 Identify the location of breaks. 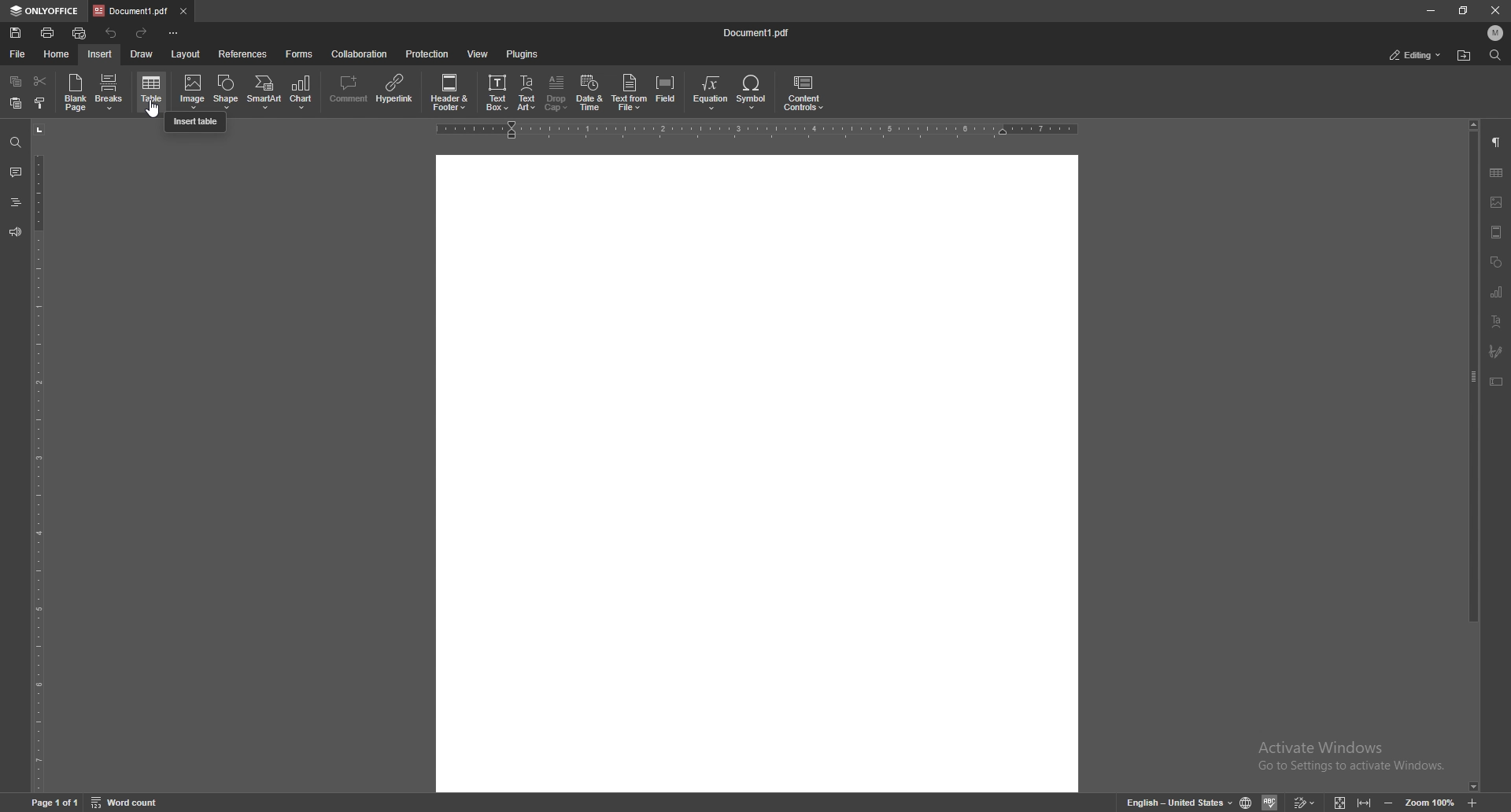
(111, 91).